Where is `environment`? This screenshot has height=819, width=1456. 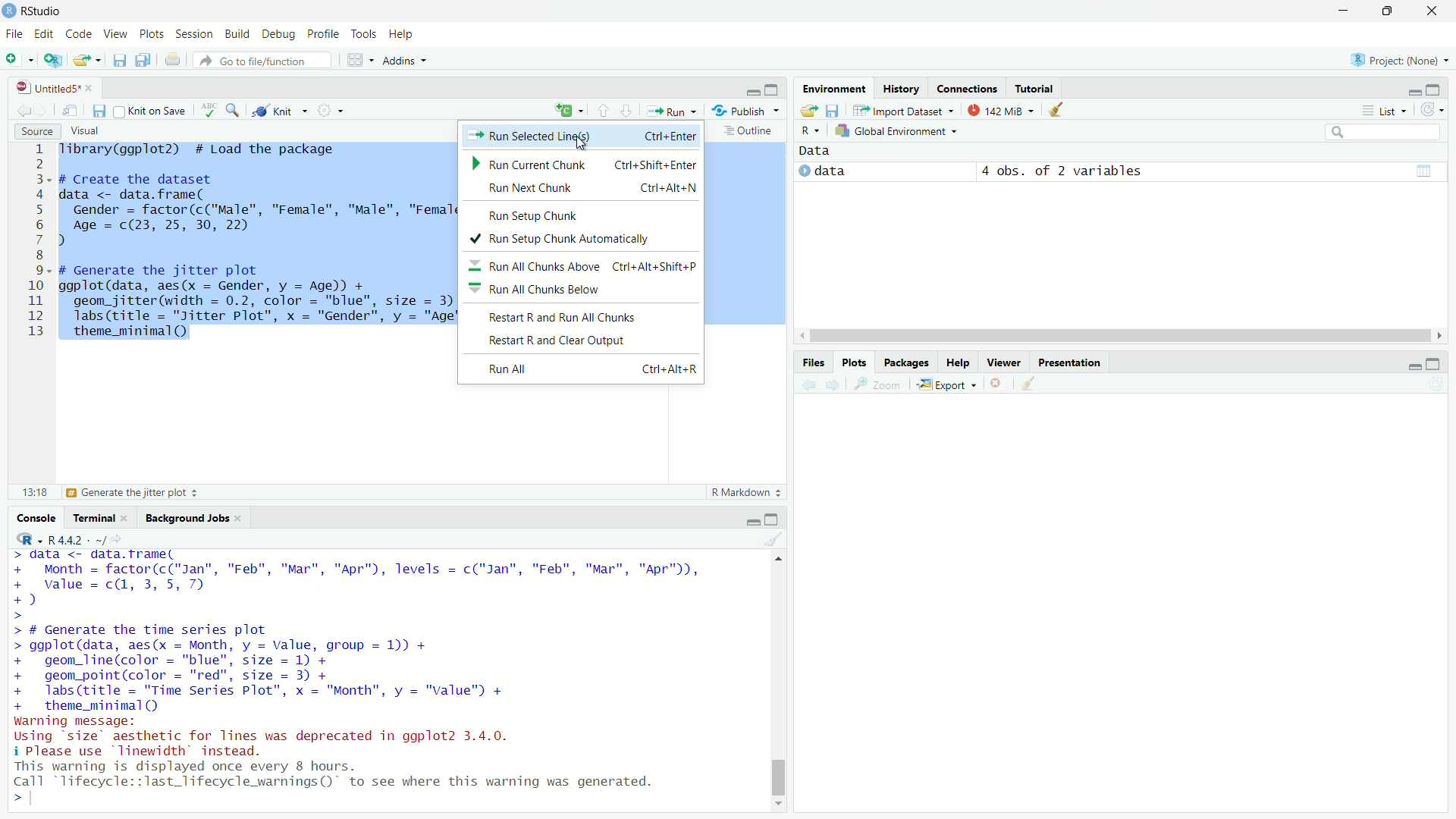 environment is located at coordinates (835, 88).